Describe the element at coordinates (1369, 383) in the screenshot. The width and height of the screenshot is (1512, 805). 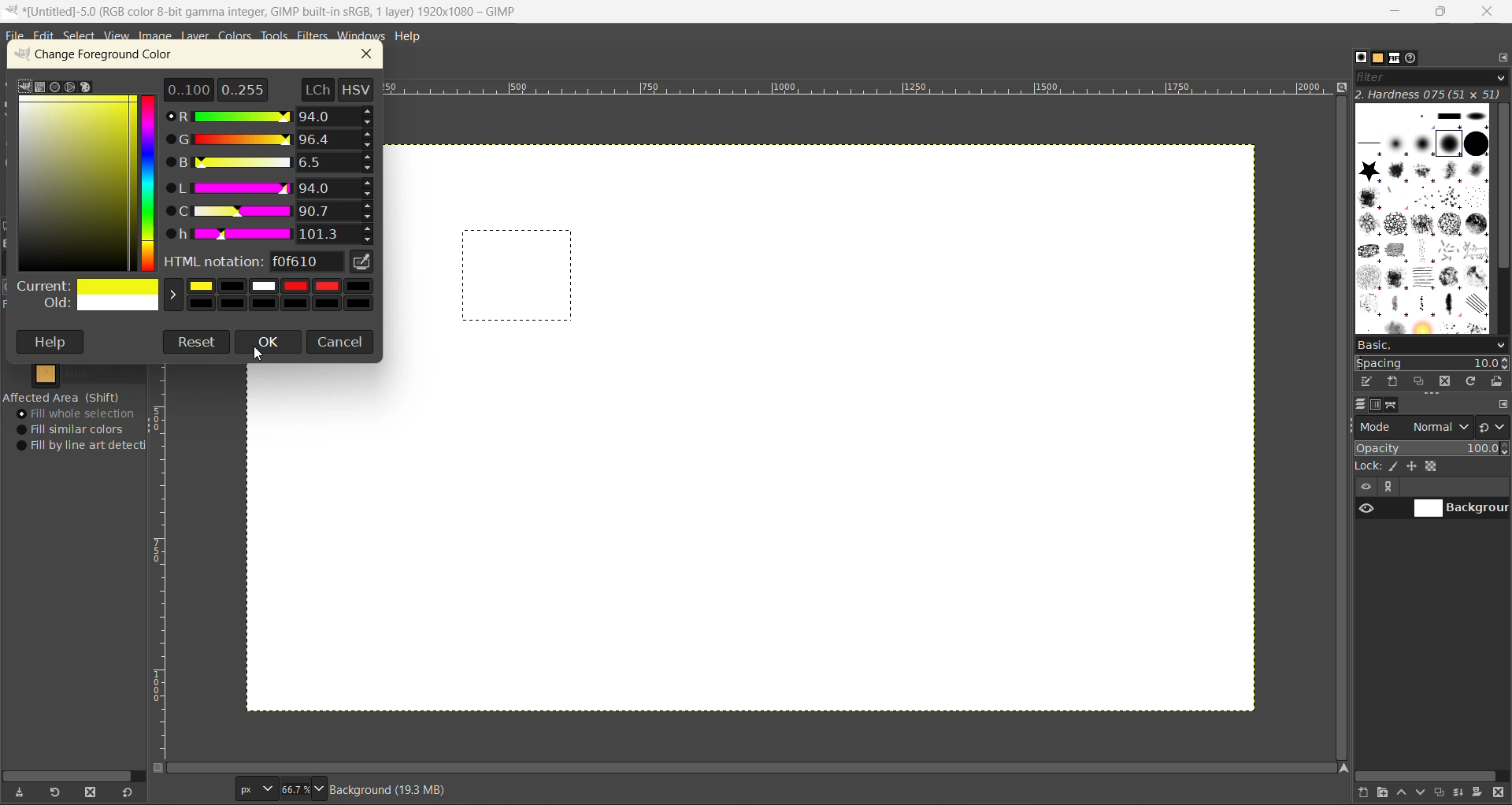
I see `edit this brush` at that location.